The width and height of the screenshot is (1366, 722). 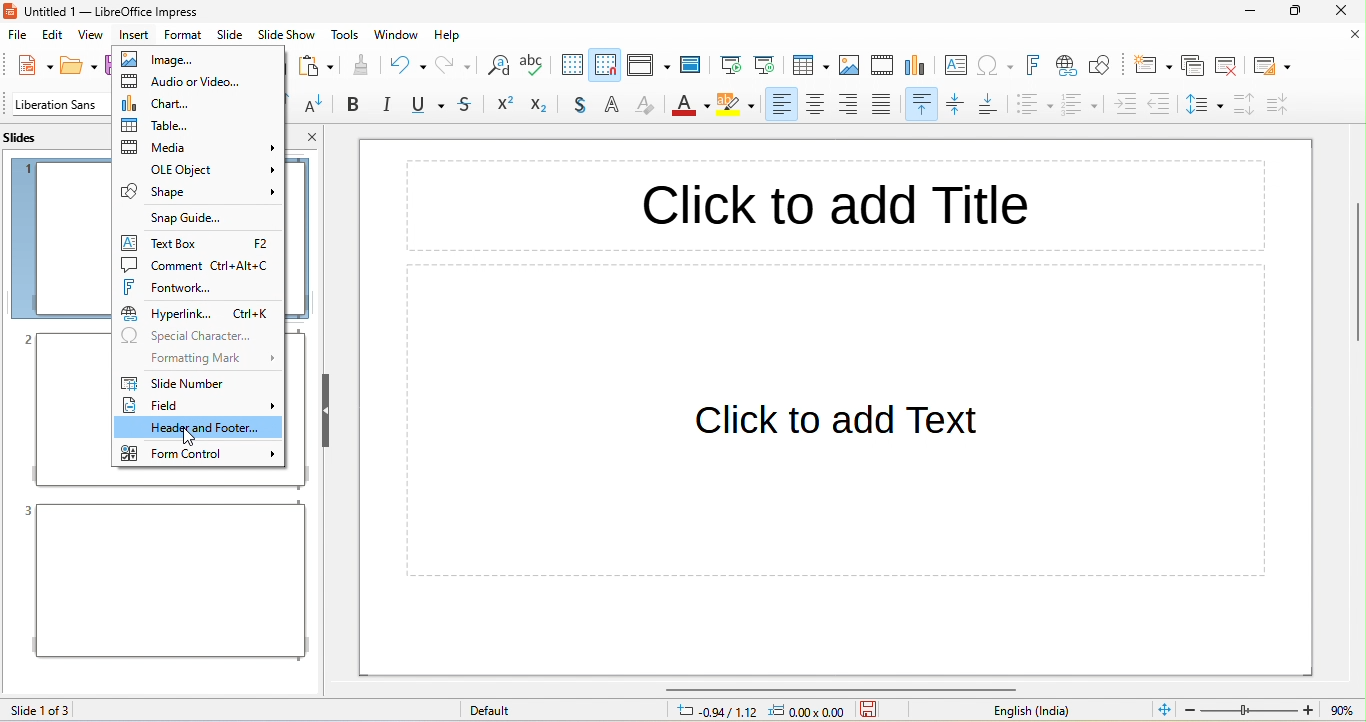 What do you see at coordinates (736, 107) in the screenshot?
I see `character highlighting` at bounding box center [736, 107].